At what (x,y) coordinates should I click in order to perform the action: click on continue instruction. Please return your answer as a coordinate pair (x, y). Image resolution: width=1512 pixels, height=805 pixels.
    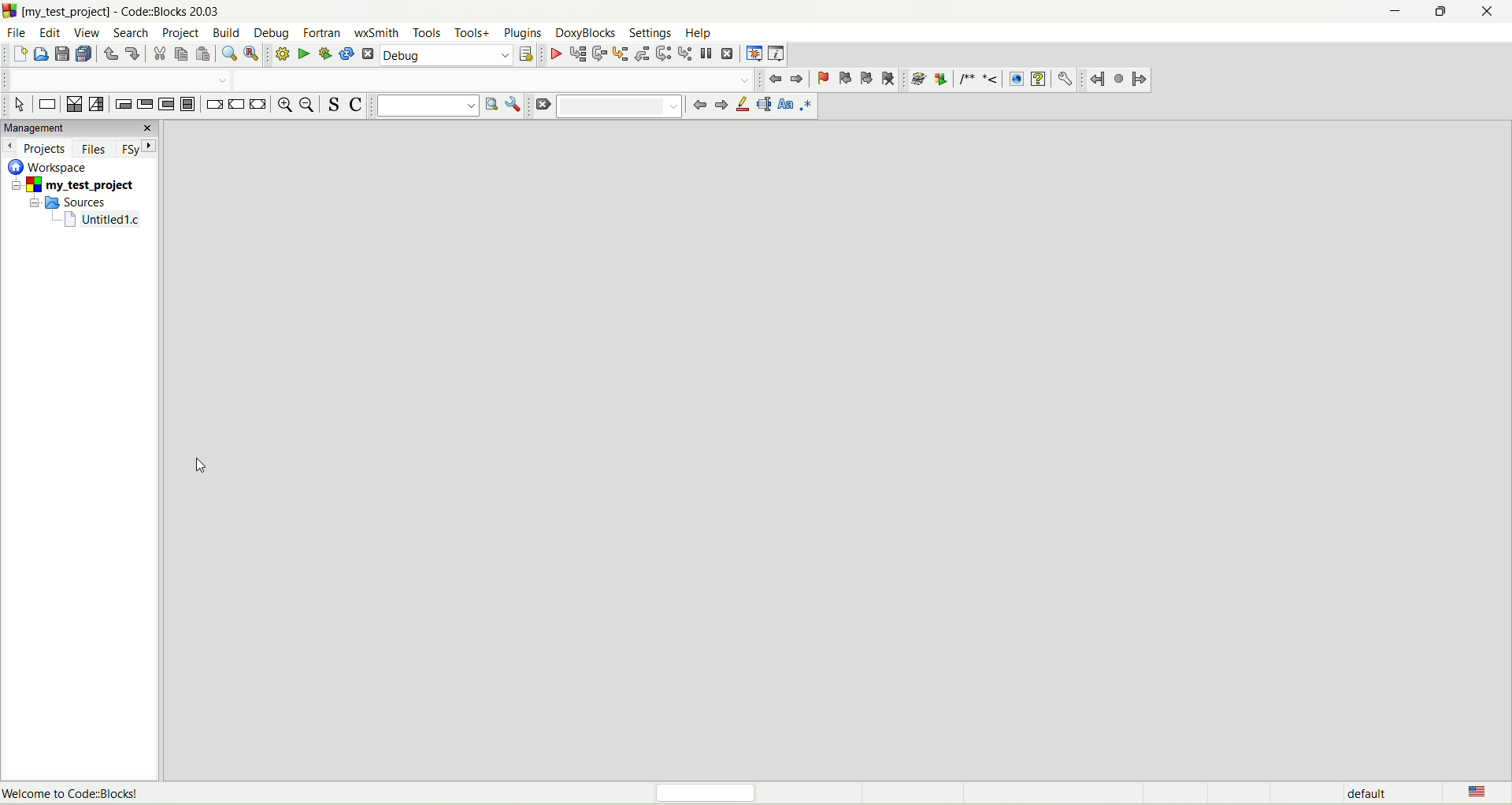
    Looking at the image, I should click on (235, 104).